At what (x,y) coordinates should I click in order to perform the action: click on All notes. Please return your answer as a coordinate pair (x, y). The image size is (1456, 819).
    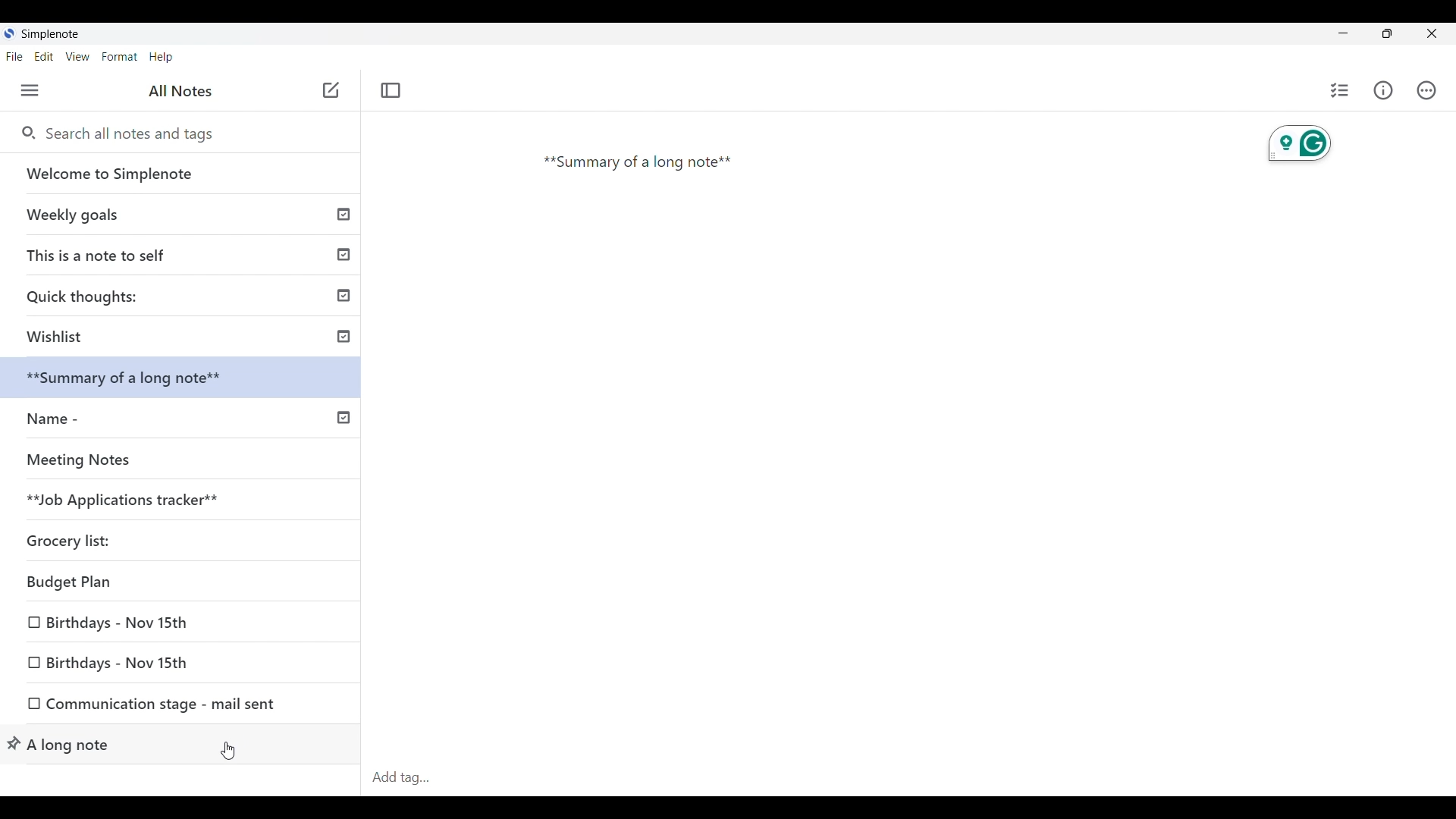
    Looking at the image, I should click on (180, 90).